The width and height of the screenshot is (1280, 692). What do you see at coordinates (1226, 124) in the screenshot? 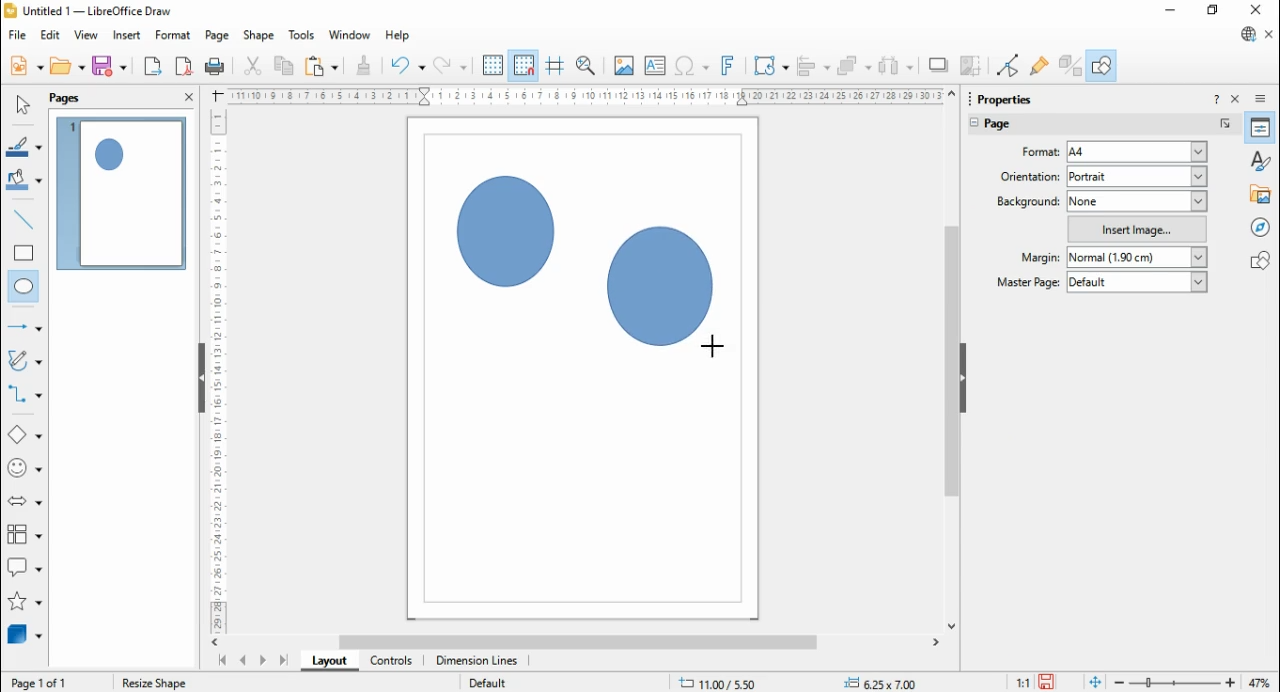
I see `more options` at bounding box center [1226, 124].